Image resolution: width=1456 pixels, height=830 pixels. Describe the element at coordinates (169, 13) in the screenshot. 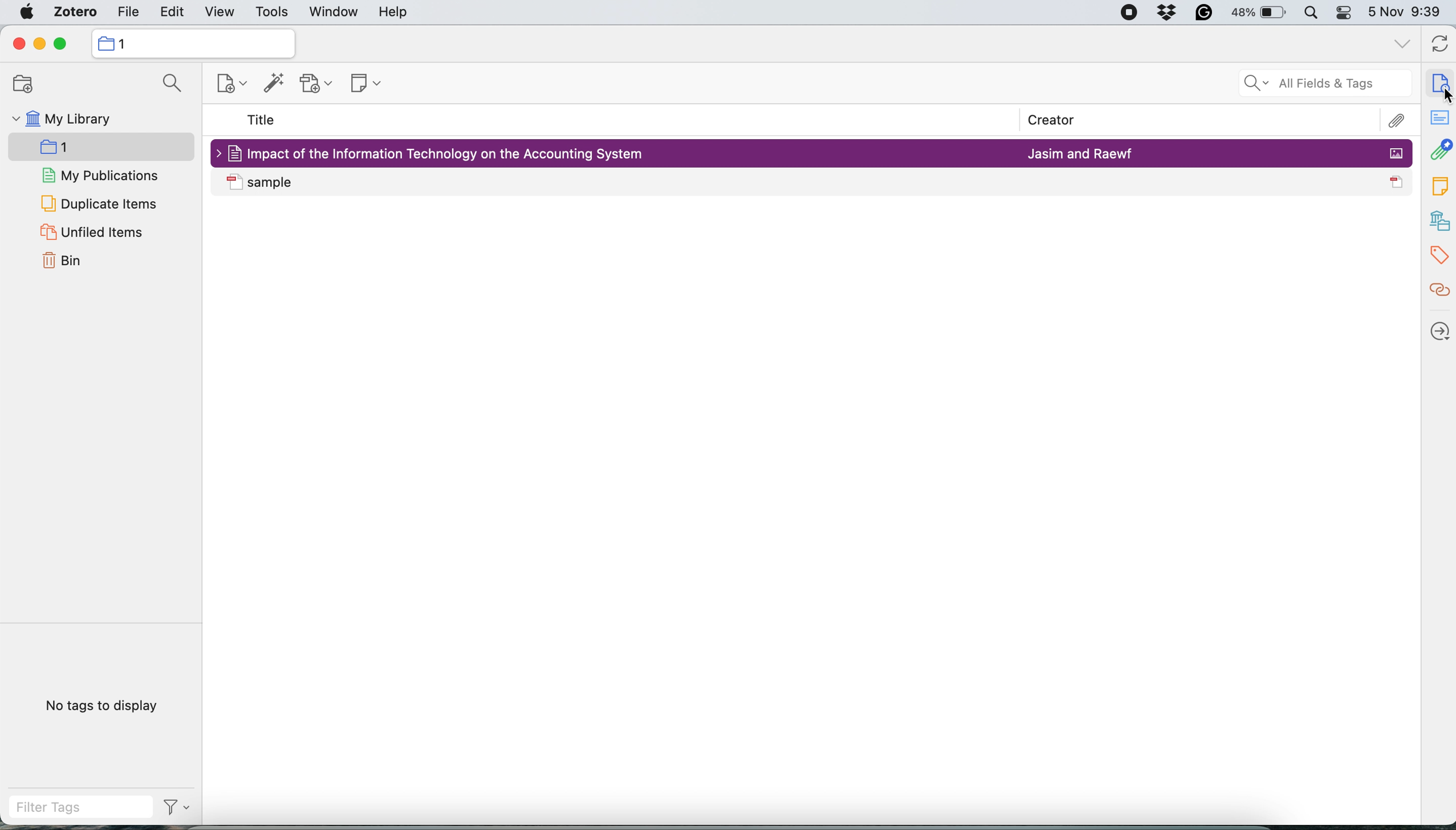

I see `edit` at that location.